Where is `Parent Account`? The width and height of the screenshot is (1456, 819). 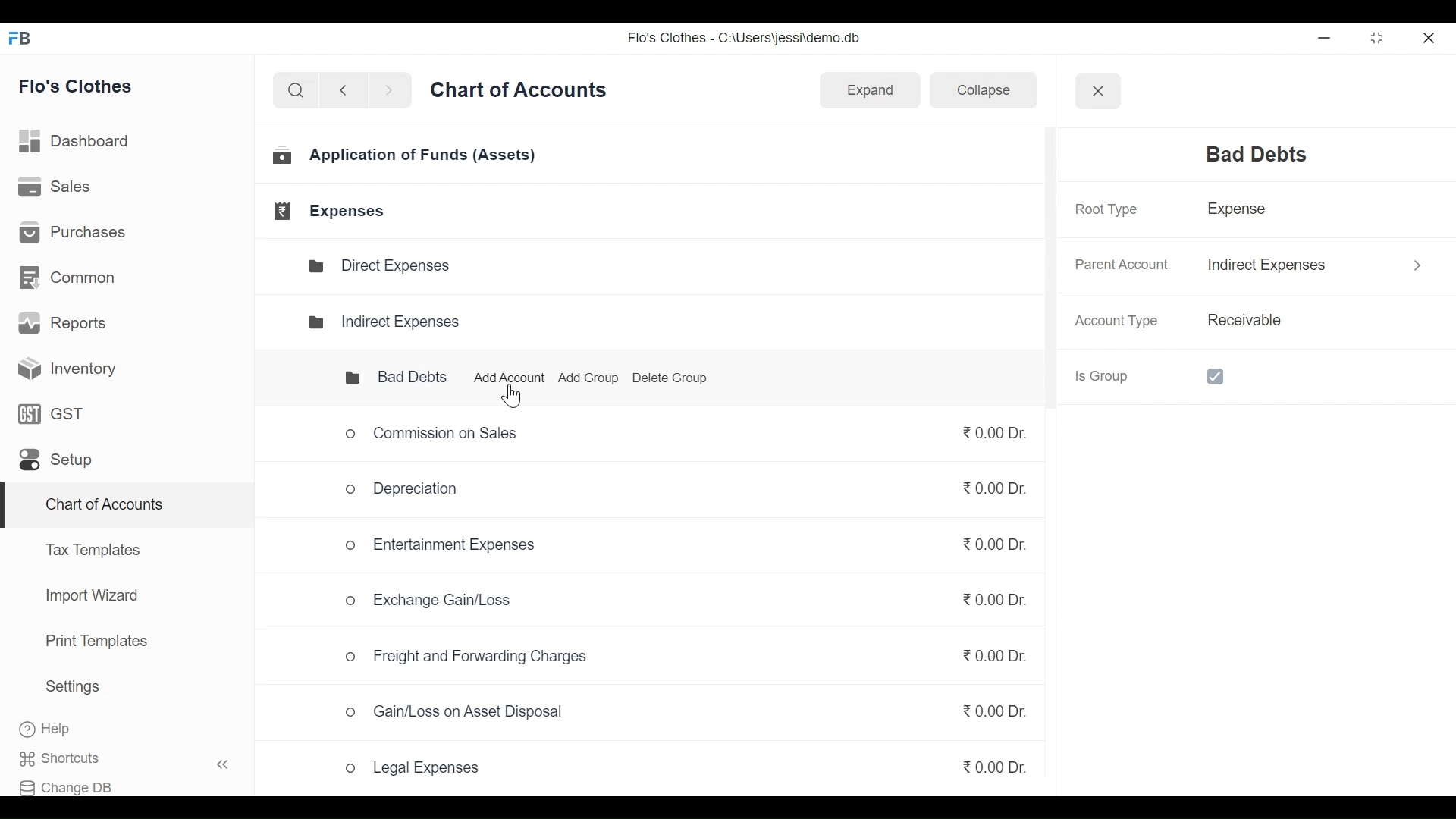 Parent Account is located at coordinates (1119, 265).